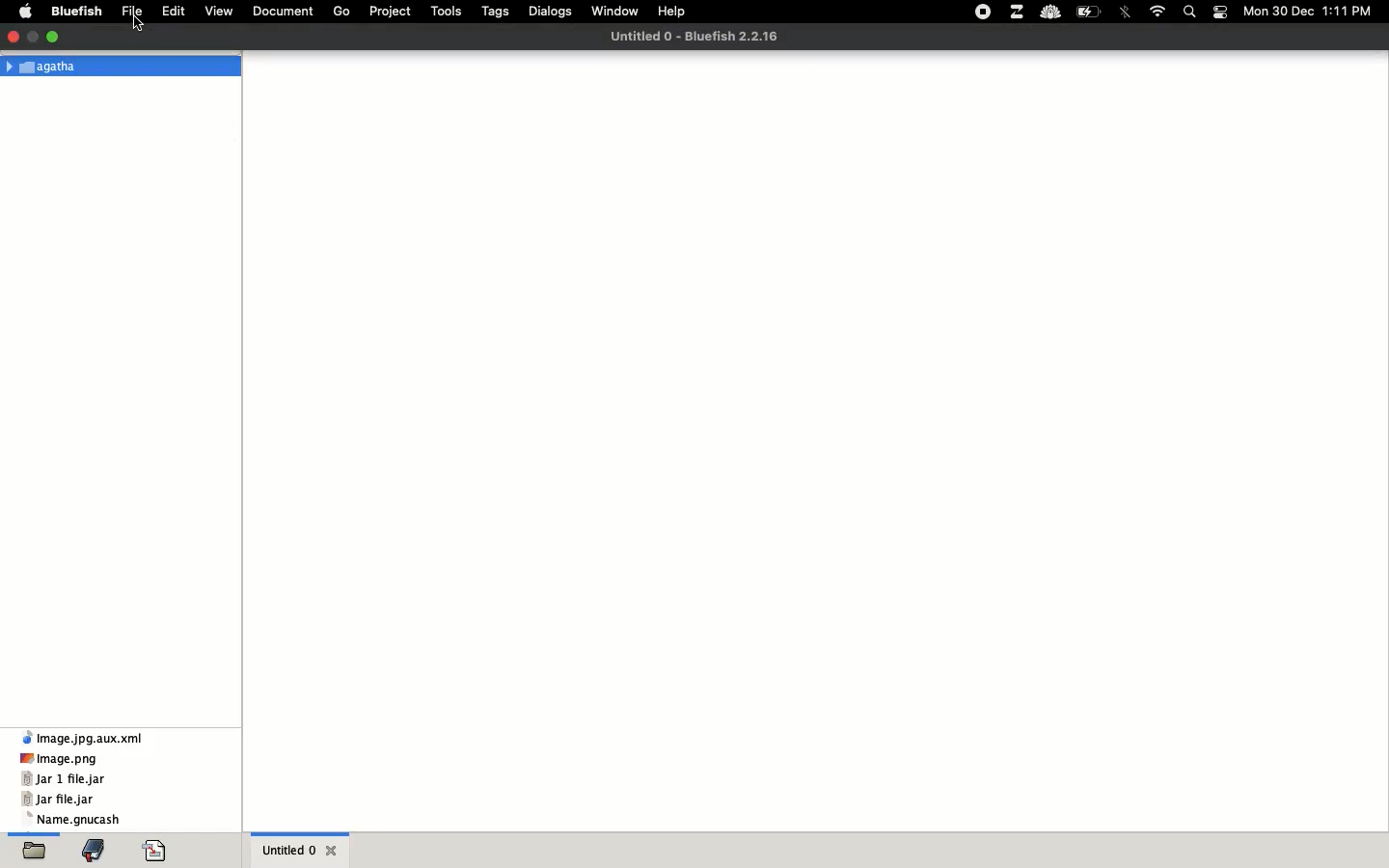 The image size is (1389, 868). Describe the element at coordinates (1157, 10) in the screenshot. I see `internet` at that location.